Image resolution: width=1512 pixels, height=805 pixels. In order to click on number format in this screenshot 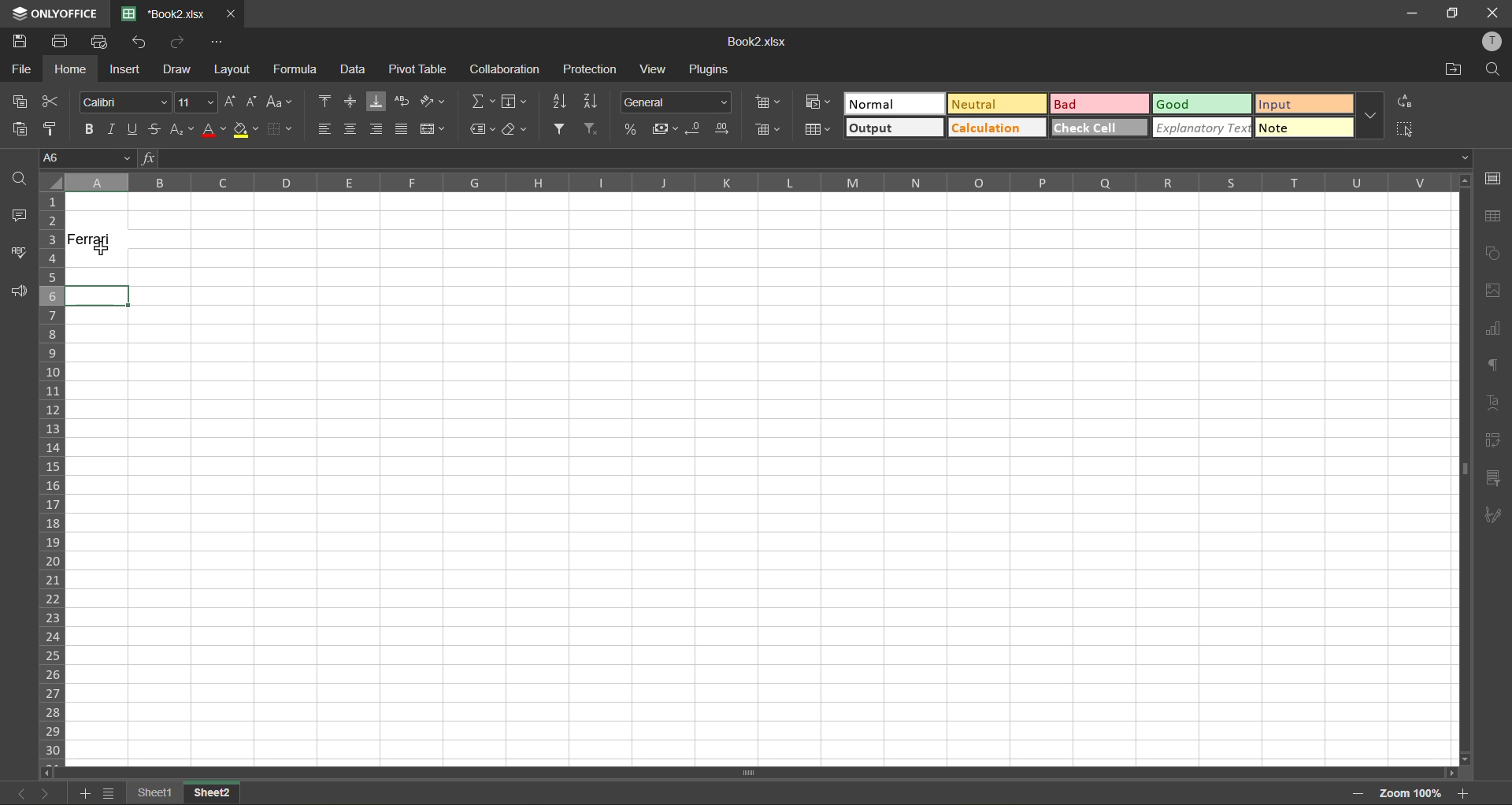, I will do `click(673, 102)`.